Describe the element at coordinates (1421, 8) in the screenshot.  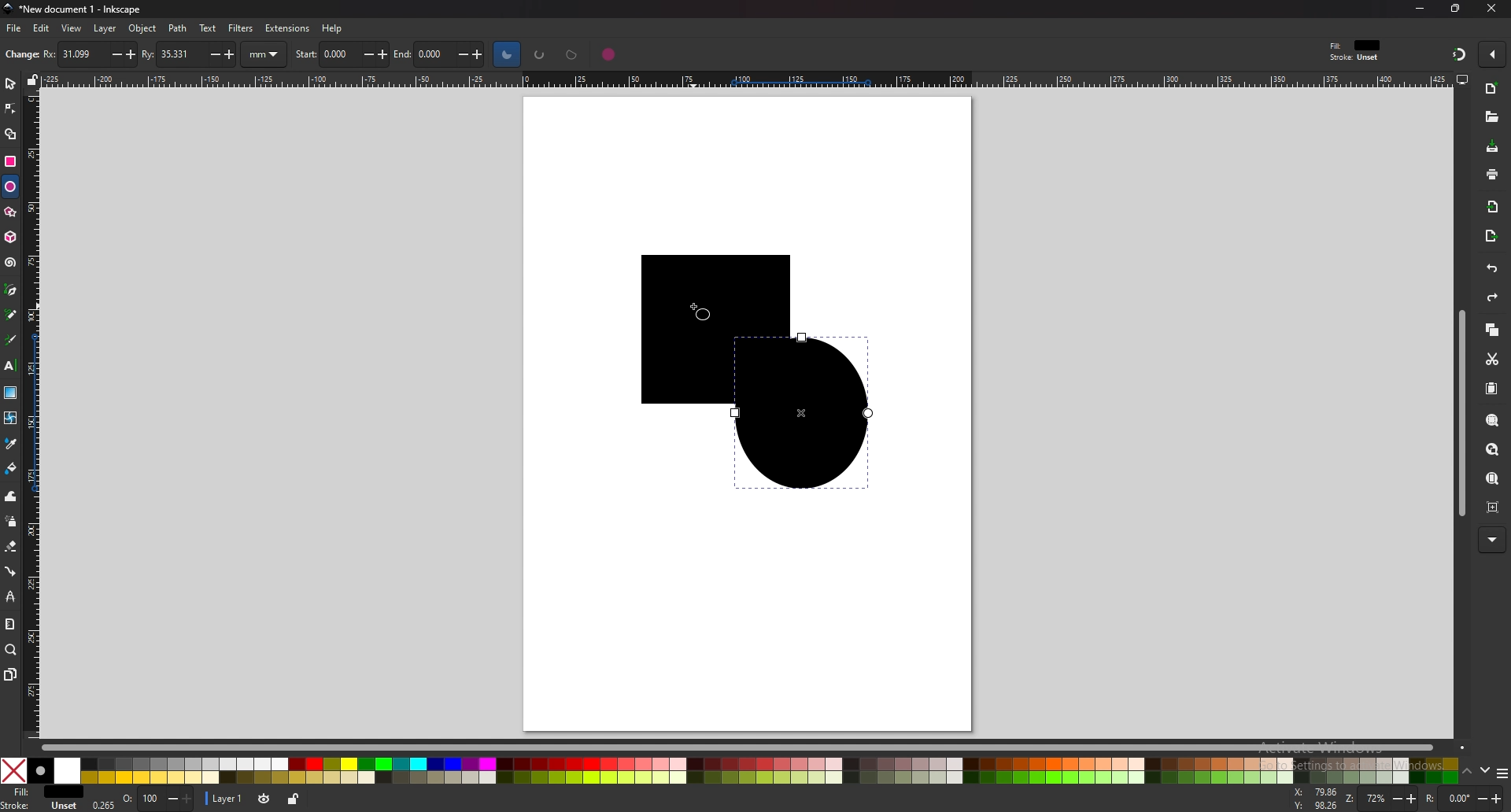
I see `minimize` at that location.